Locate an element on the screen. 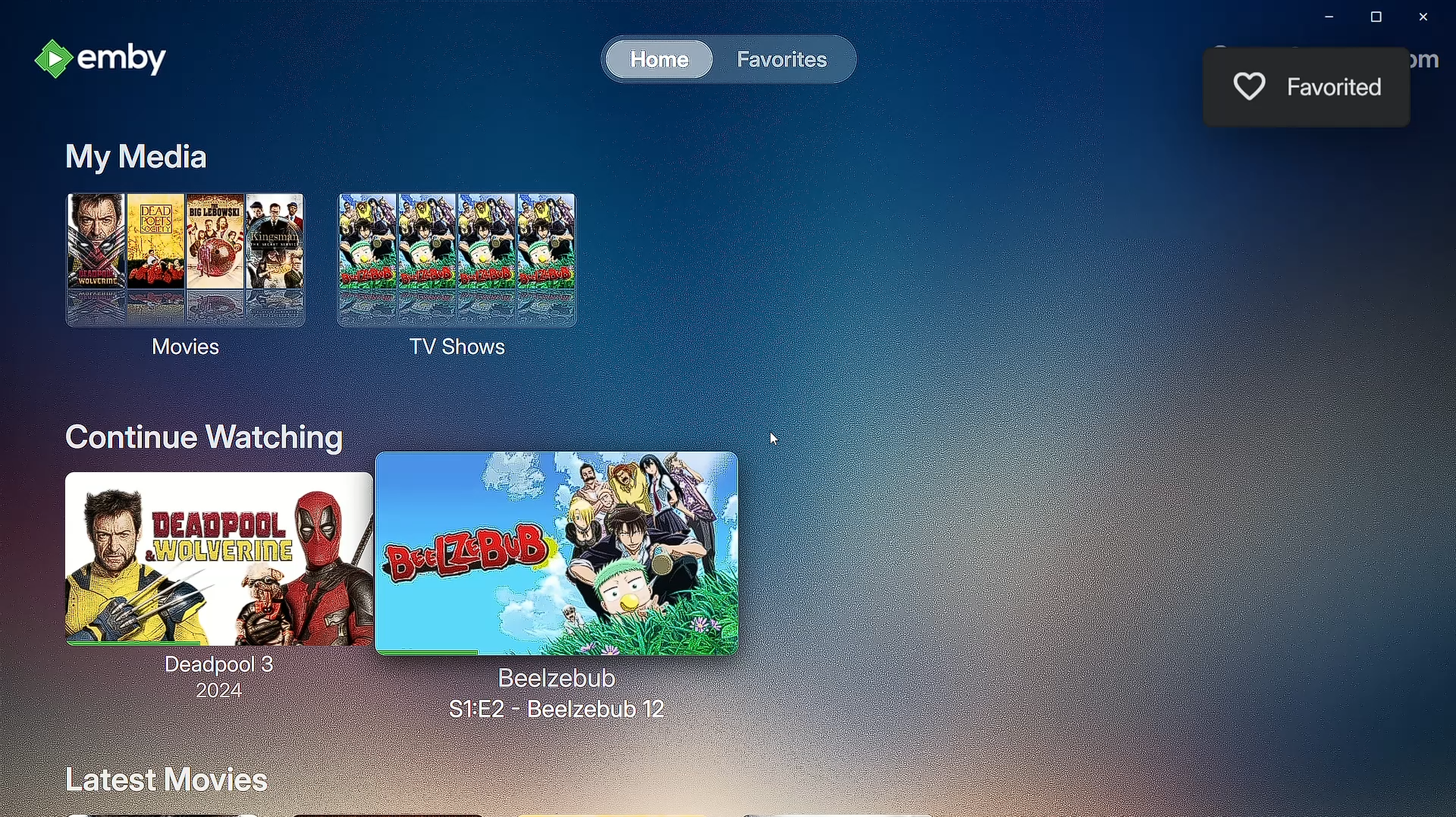 The height and width of the screenshot is (817, 1456). S1:E2 - beelzebub 12 is located at coordinates (553, 694).